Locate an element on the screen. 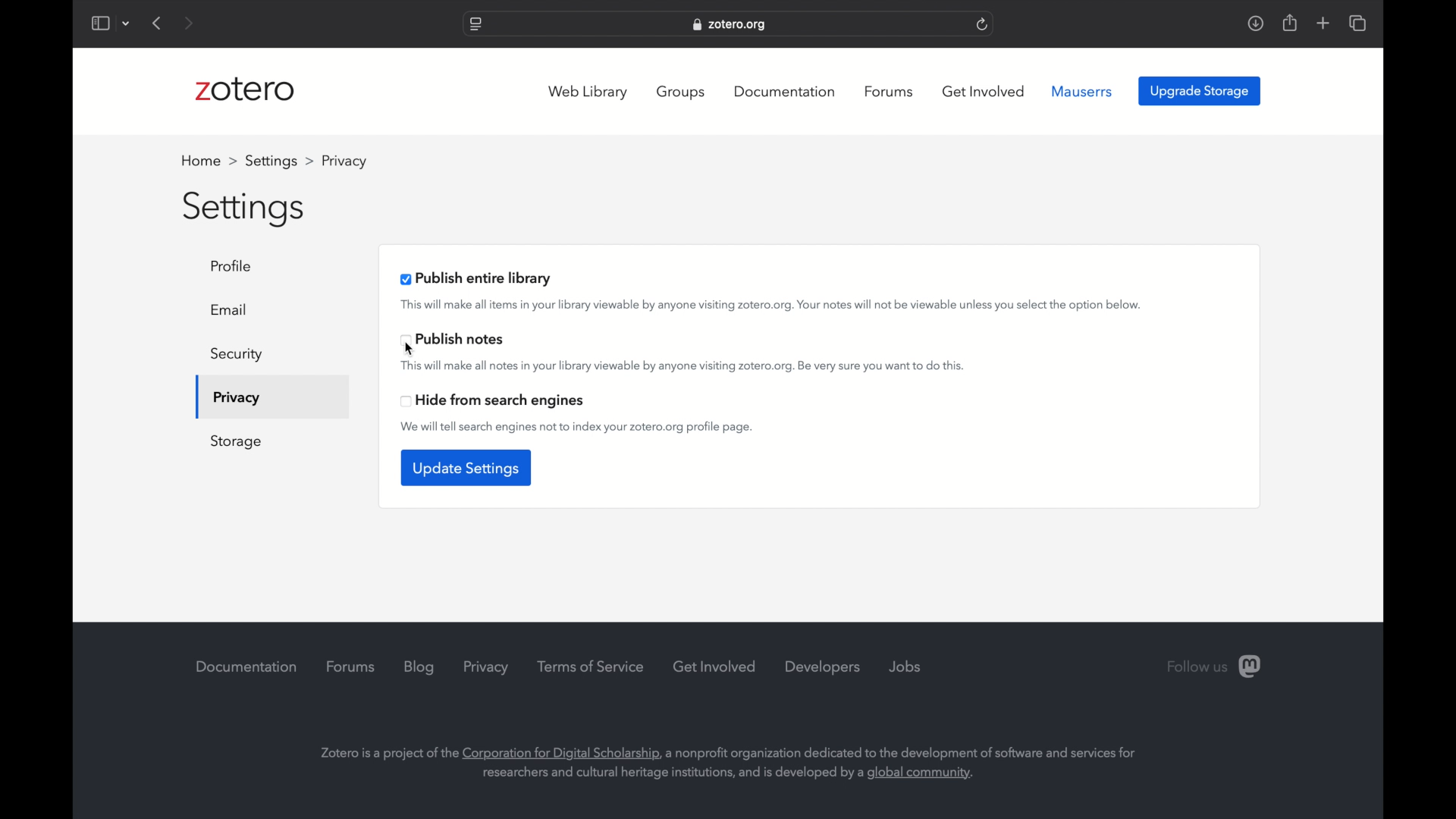 This screenshot has height=819, width=1456. show sidebar is located at coordinates (101, 23).